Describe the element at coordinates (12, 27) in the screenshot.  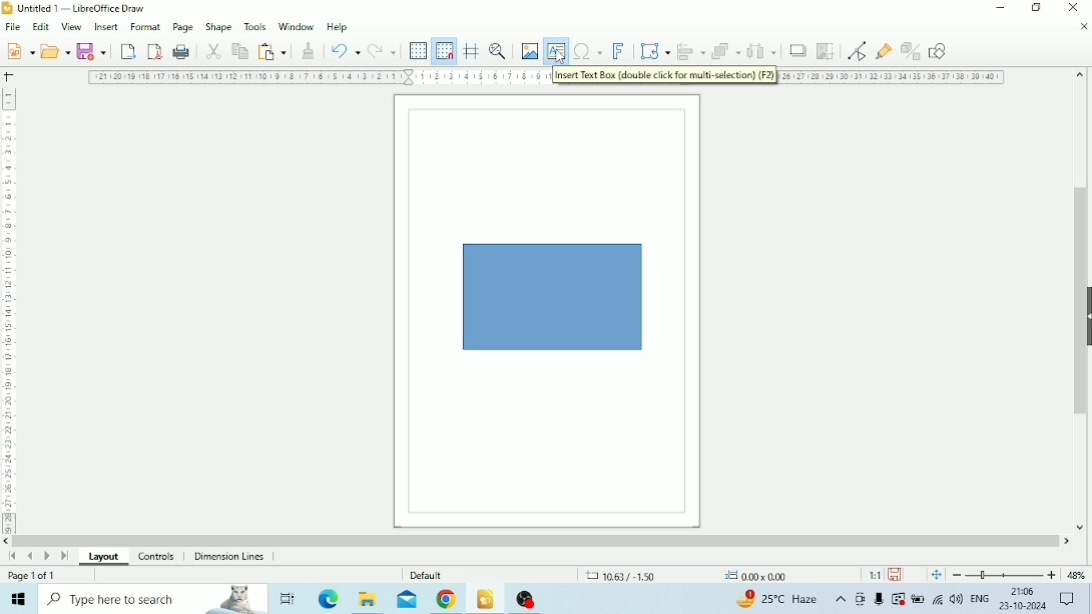
I see `File` at that location.